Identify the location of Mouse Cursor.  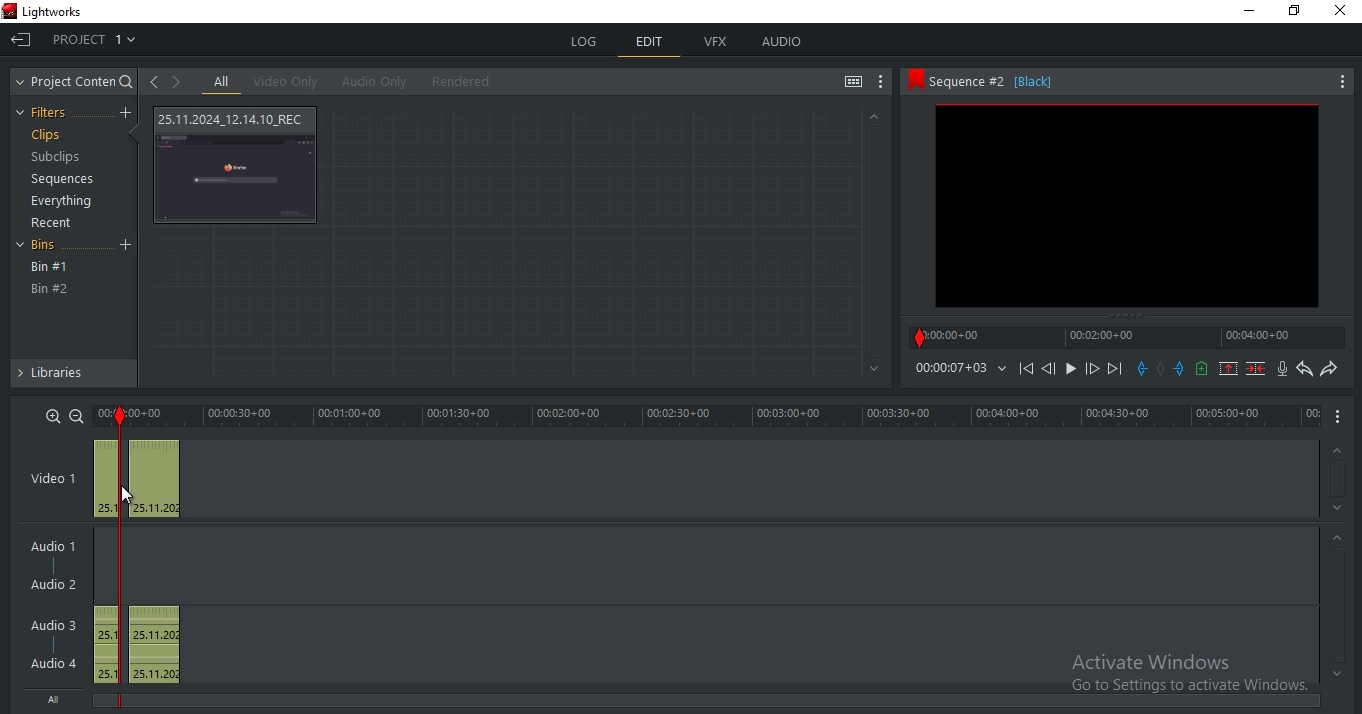
(128, 496).